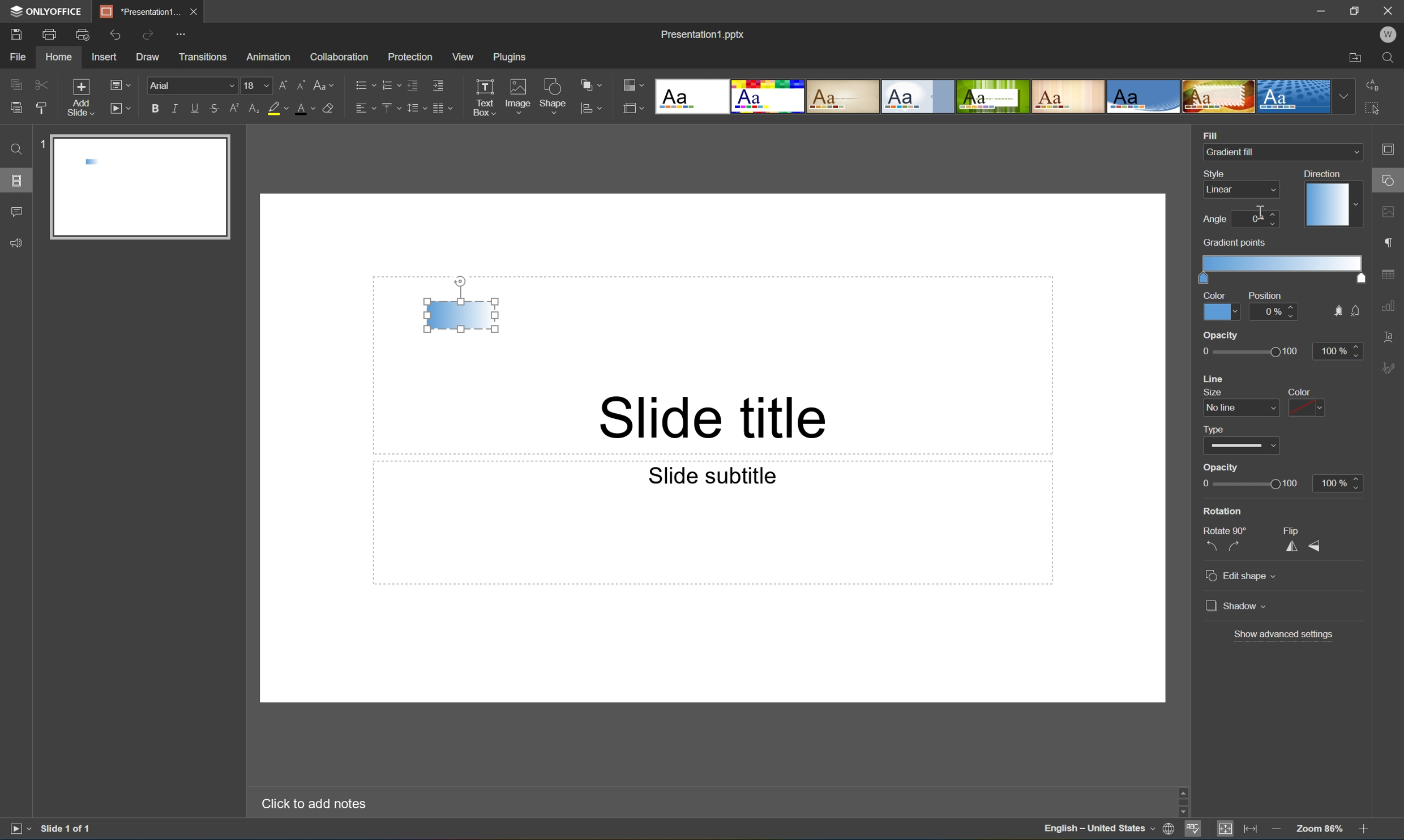  I want to click on Style, so click(1216, 173).